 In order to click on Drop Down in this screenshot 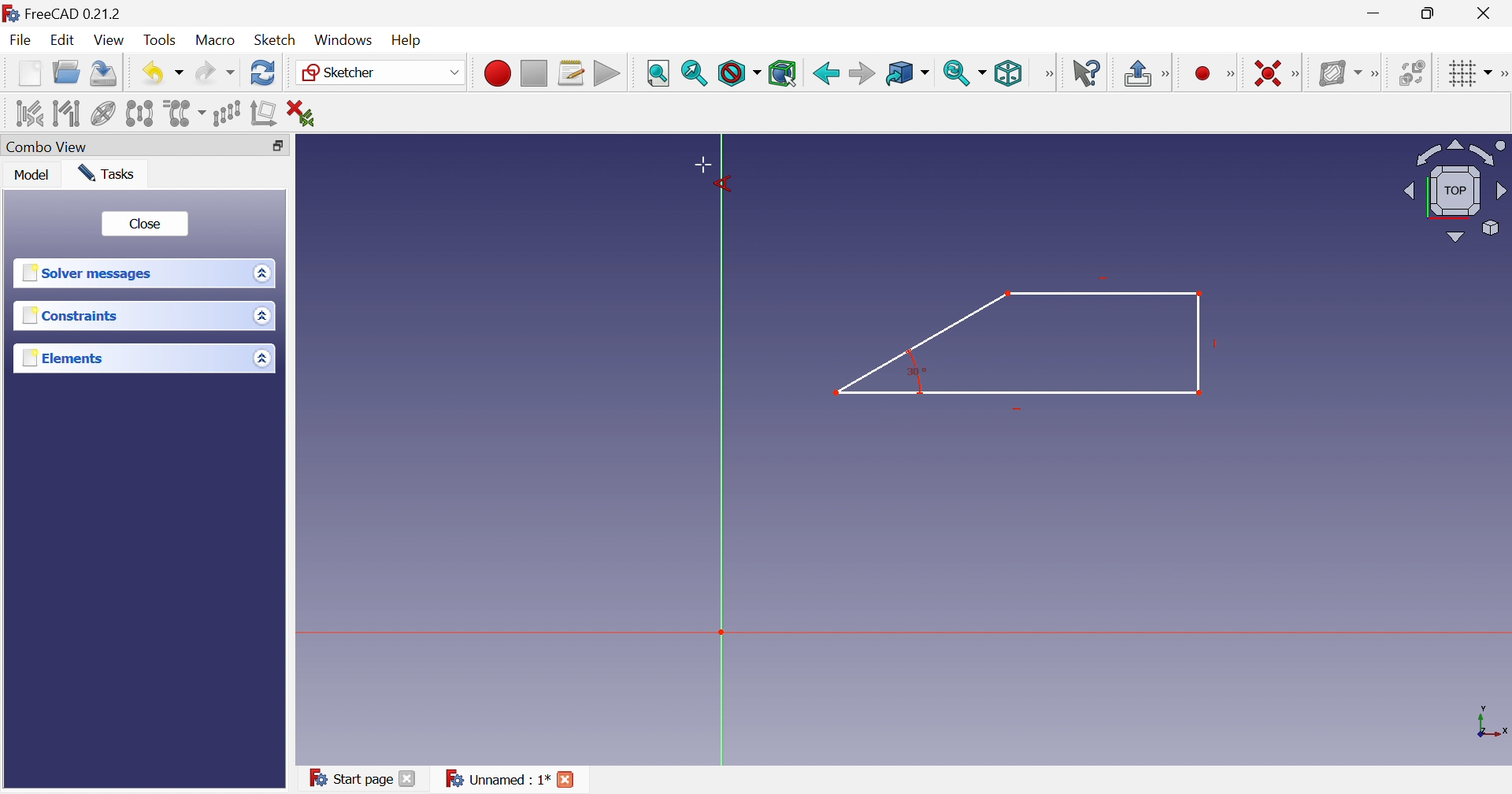, I will do `click(180, 73)`.